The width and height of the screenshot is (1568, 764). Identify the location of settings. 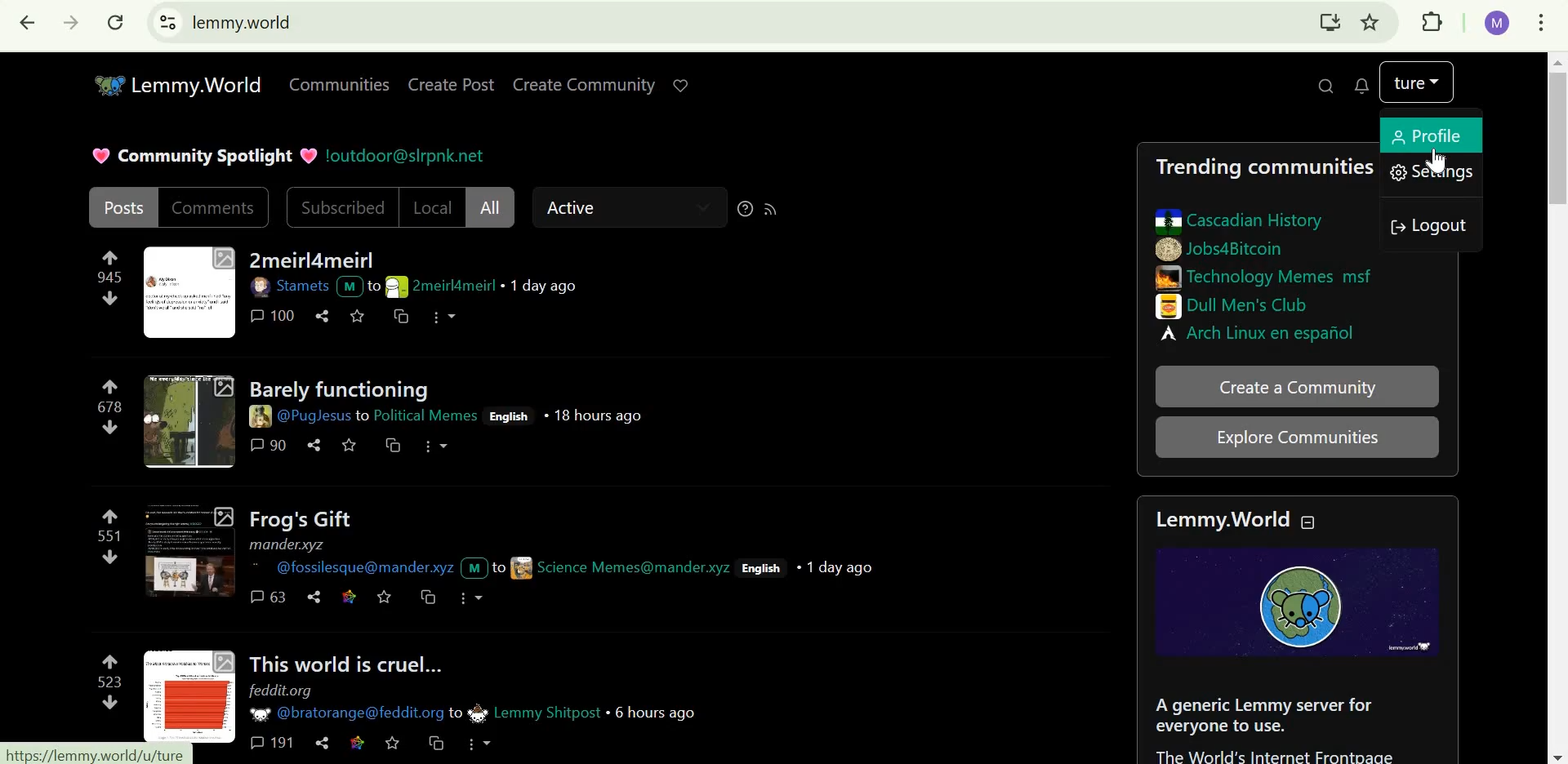
(1431, 175).